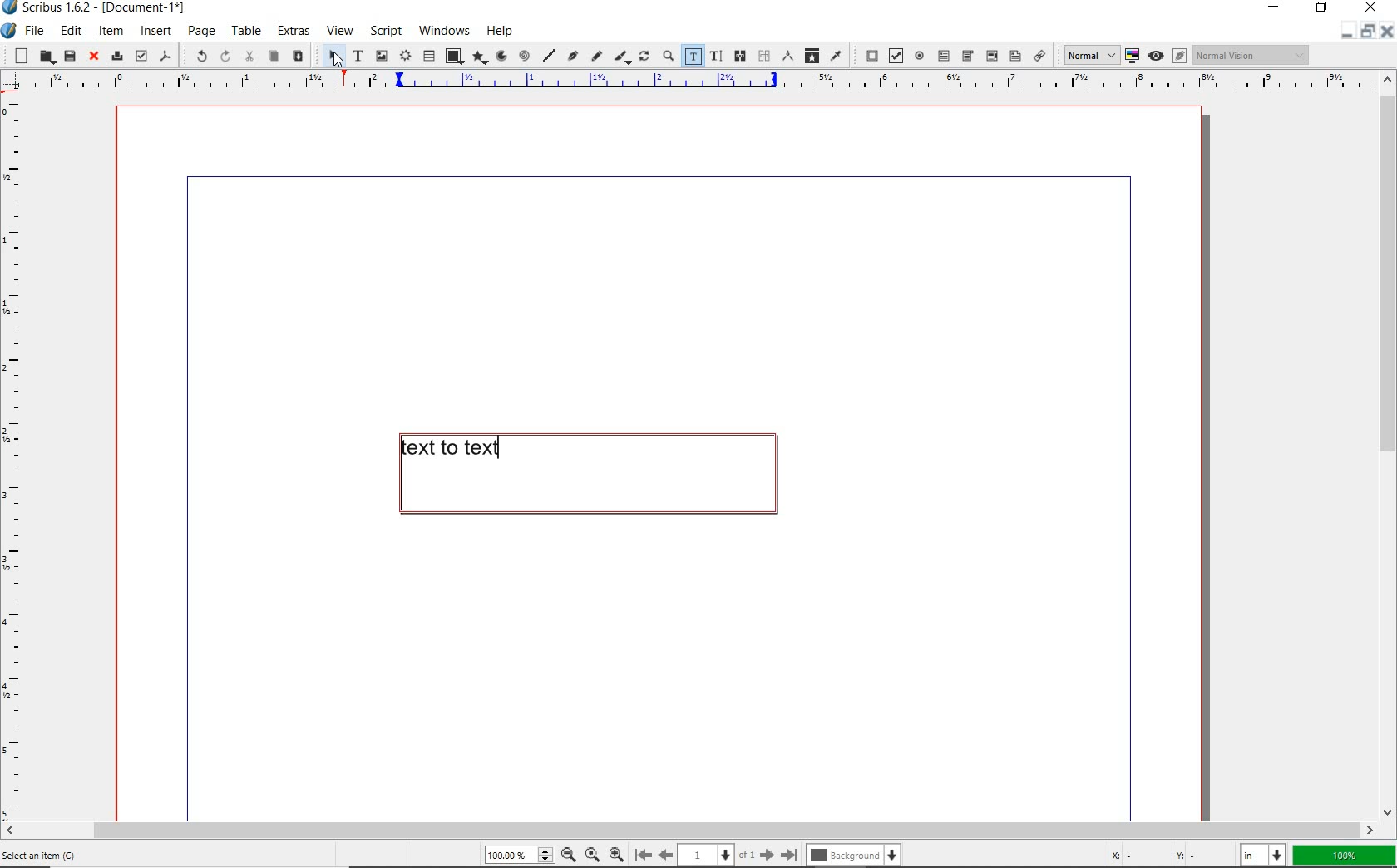 This screenshot has width=1397, height=868. Describe the element at coordinates (812, 55) in the screenshot. I see `copy item properties` at that location.